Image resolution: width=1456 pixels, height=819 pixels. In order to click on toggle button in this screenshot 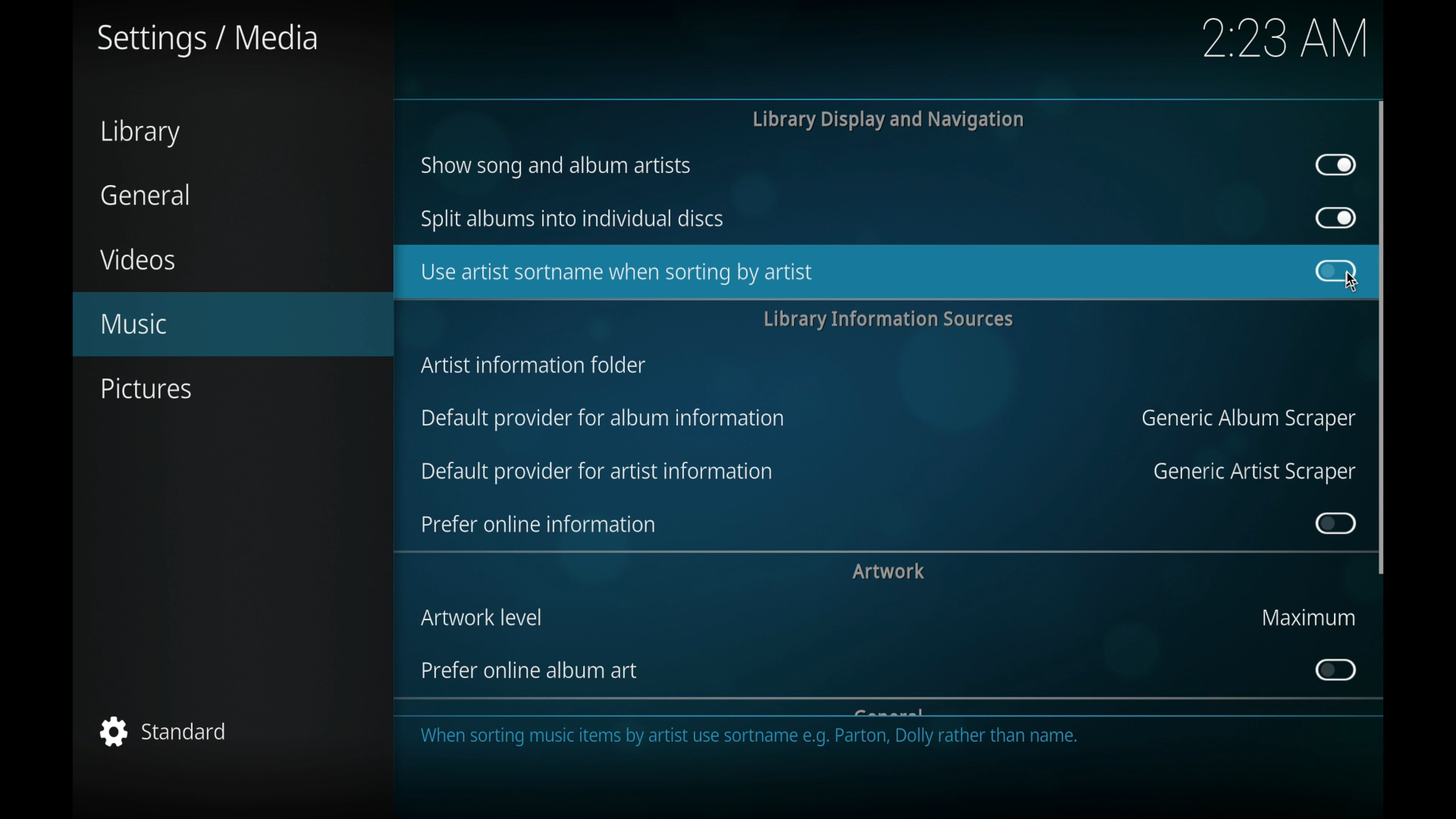, I will do `click(1335, 218)`.